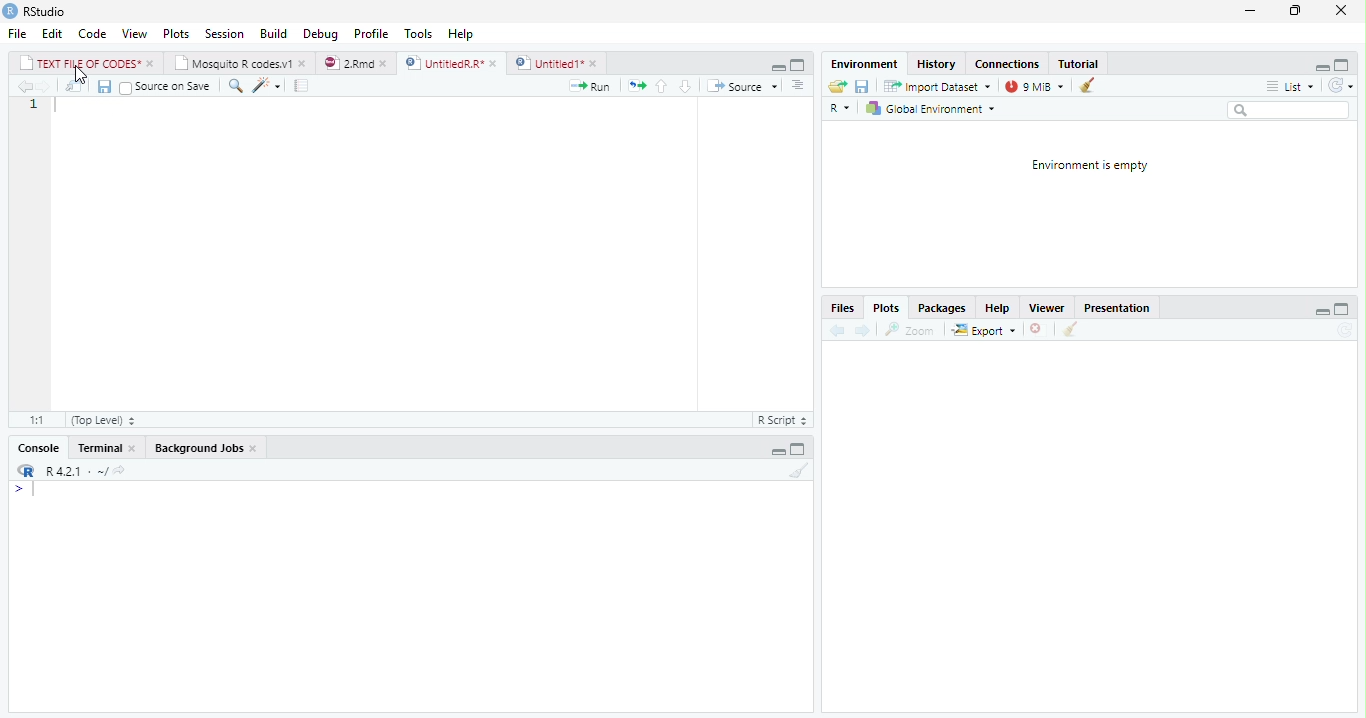 The image size is (1366, 718). What do you see at coordinates (322, 34) in the screenshot?
I see `Debug` at bounding box center [322, 34].